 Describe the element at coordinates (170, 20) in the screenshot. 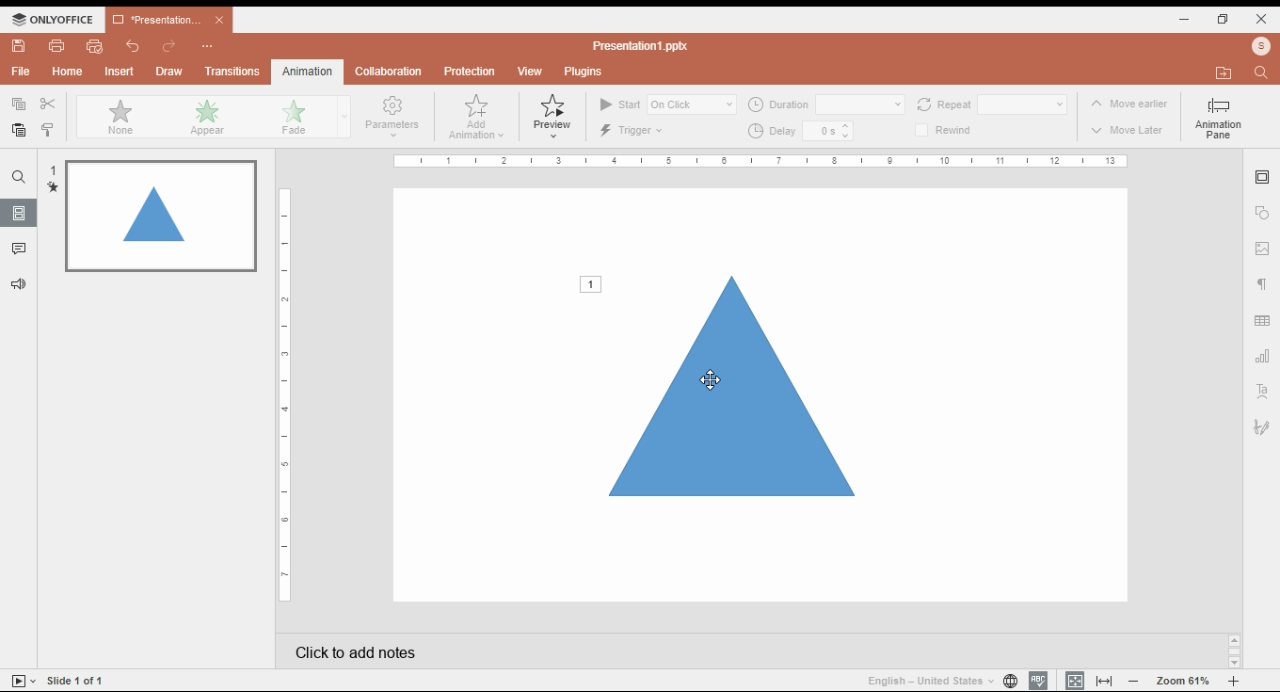

I see `presentation 1` at that location.